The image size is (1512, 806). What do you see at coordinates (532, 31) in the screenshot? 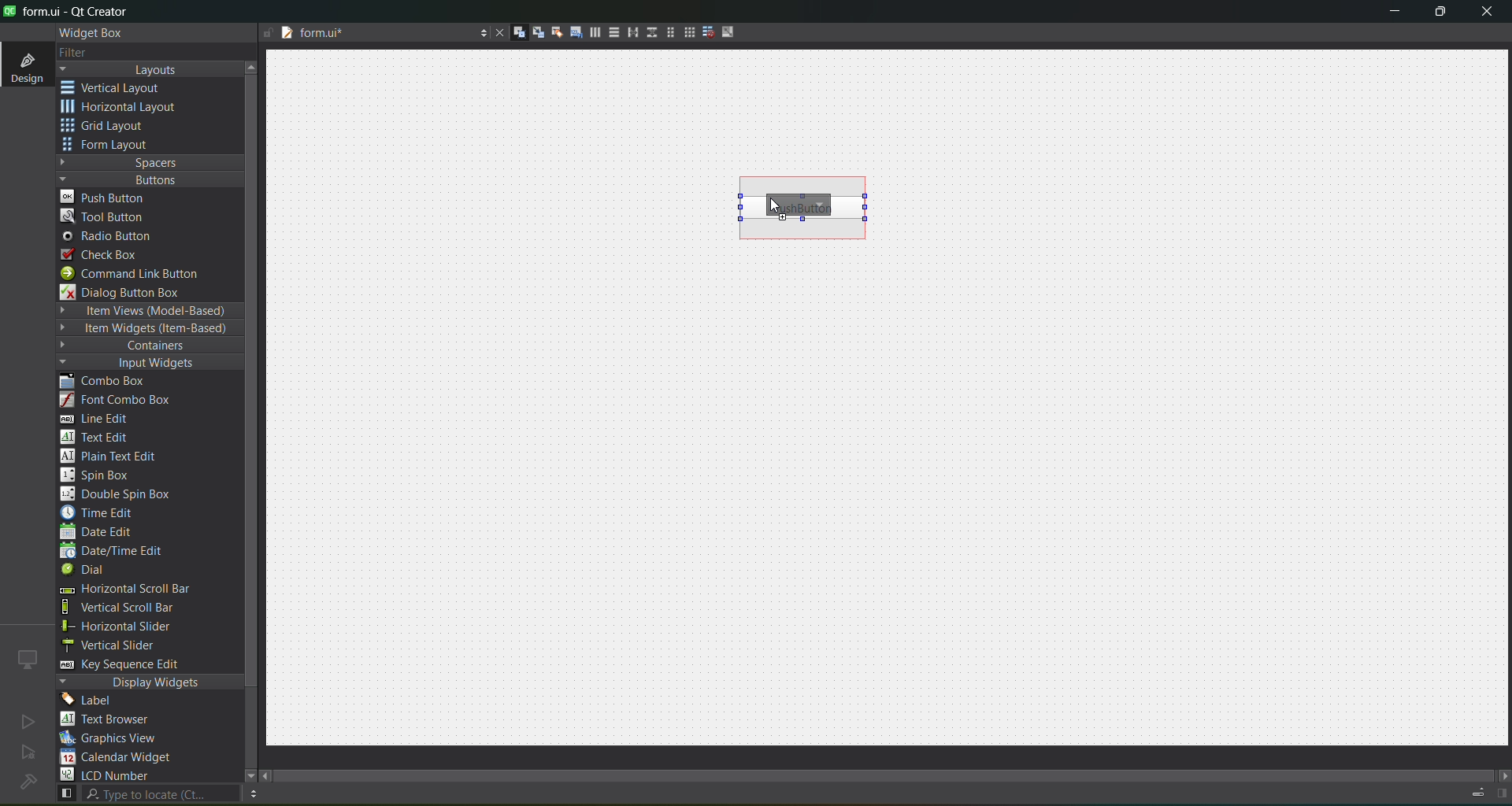
I see `edit signals` at bounding box center [532, 31].